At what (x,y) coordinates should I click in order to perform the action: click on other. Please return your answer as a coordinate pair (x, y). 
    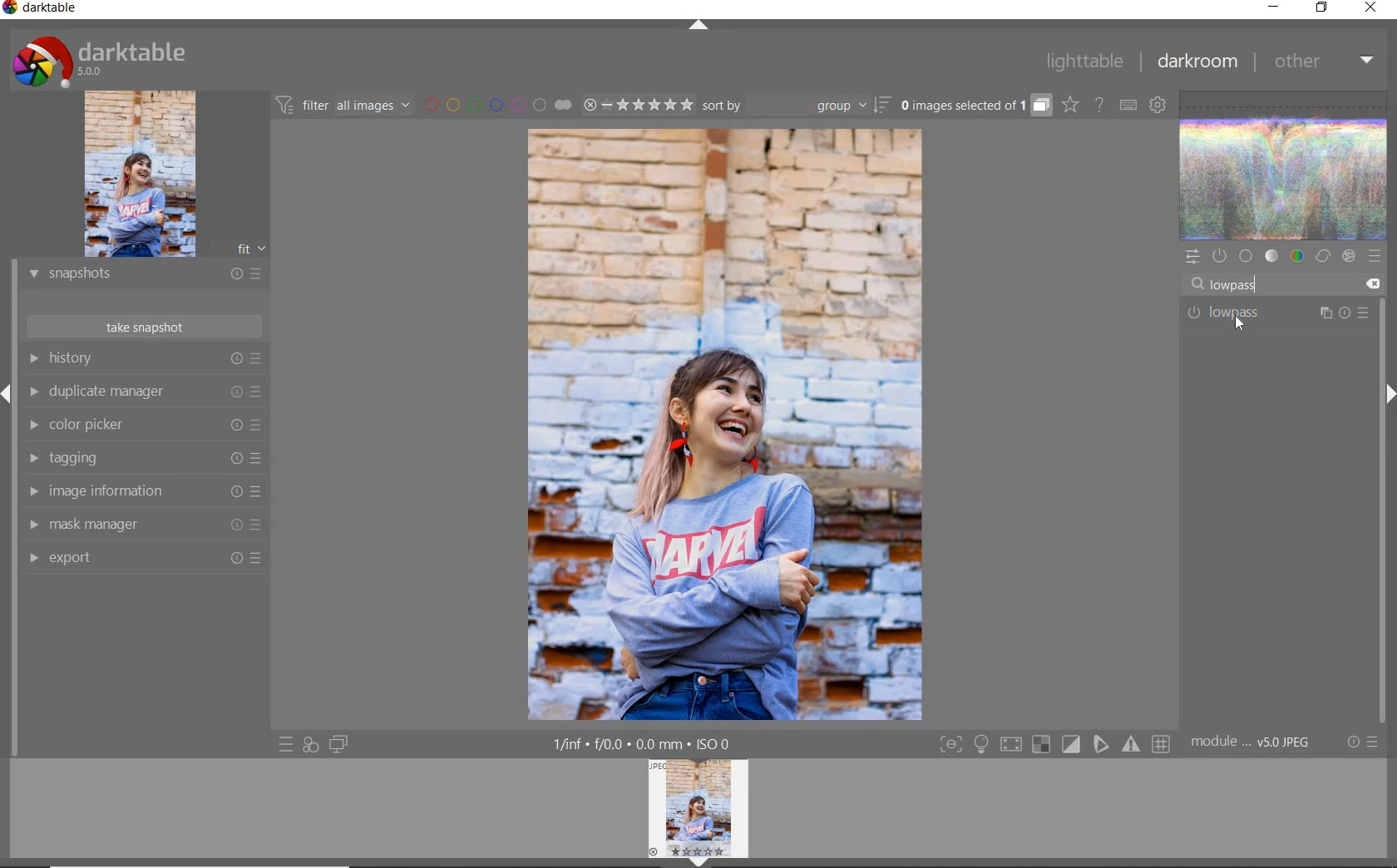
    Looking at the image, I should click on (1323, 65).